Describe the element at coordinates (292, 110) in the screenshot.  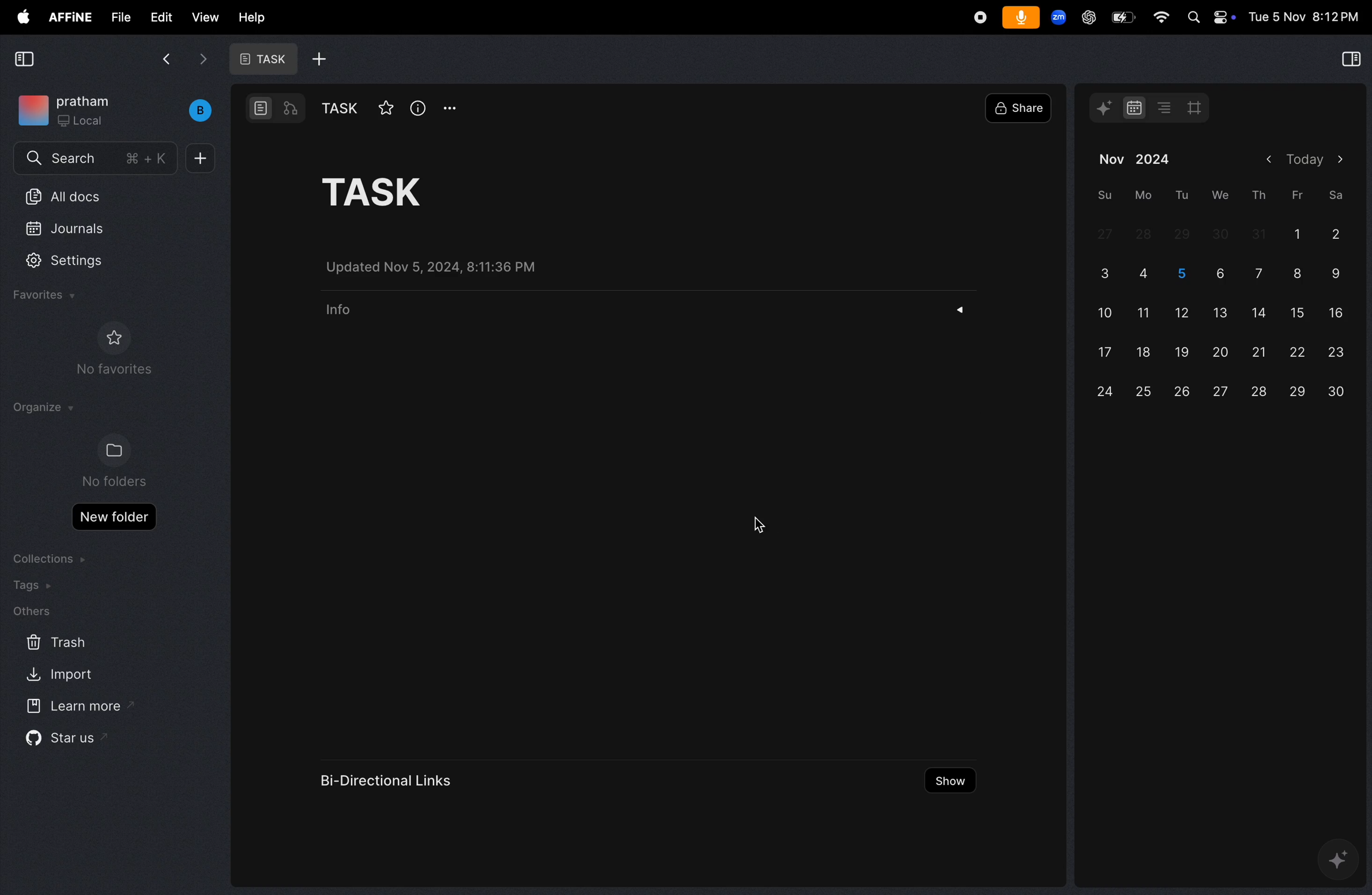
I see `workflow` at that location.